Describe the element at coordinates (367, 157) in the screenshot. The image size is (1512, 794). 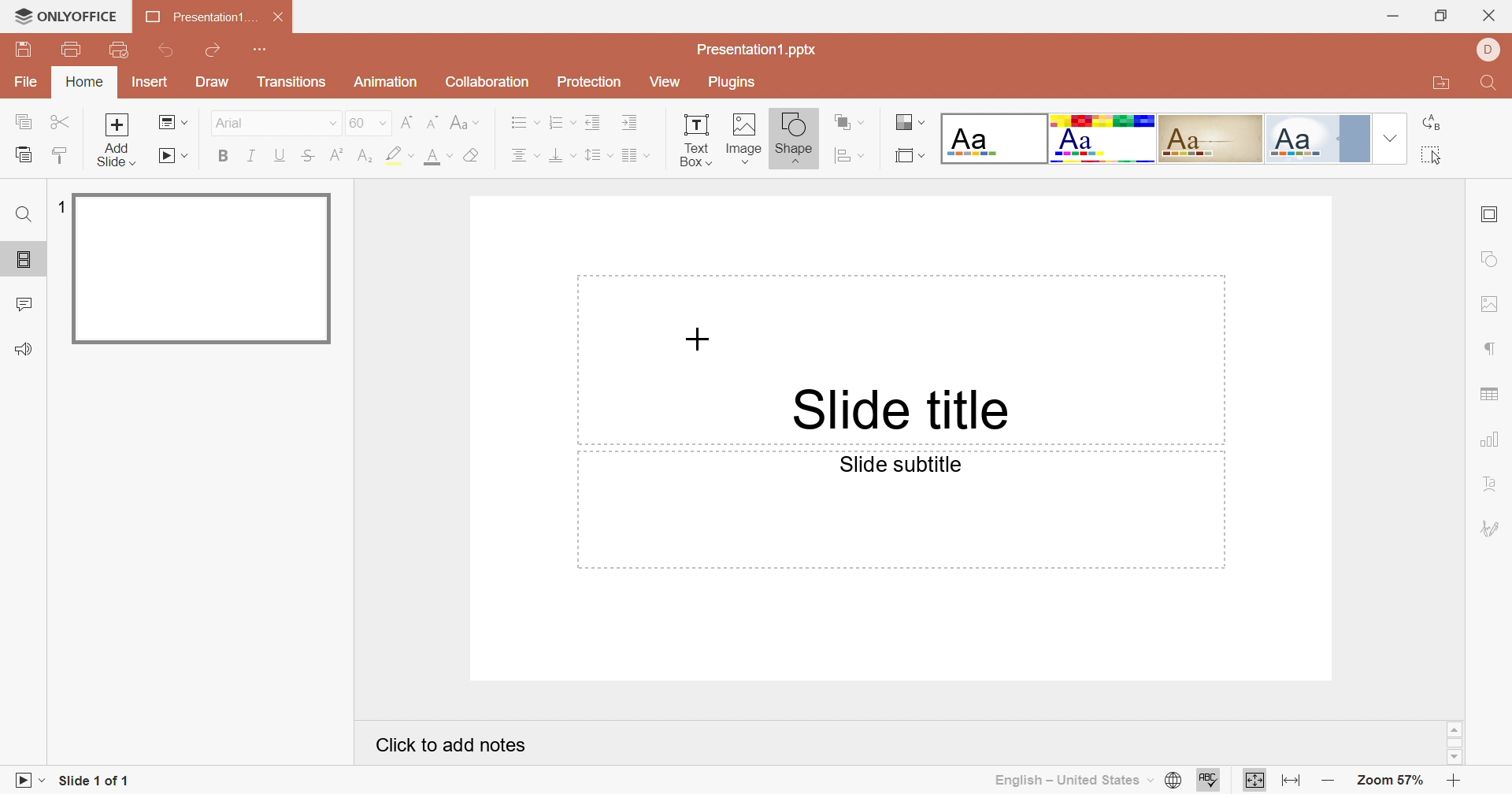
I see `Subscript` at that location.